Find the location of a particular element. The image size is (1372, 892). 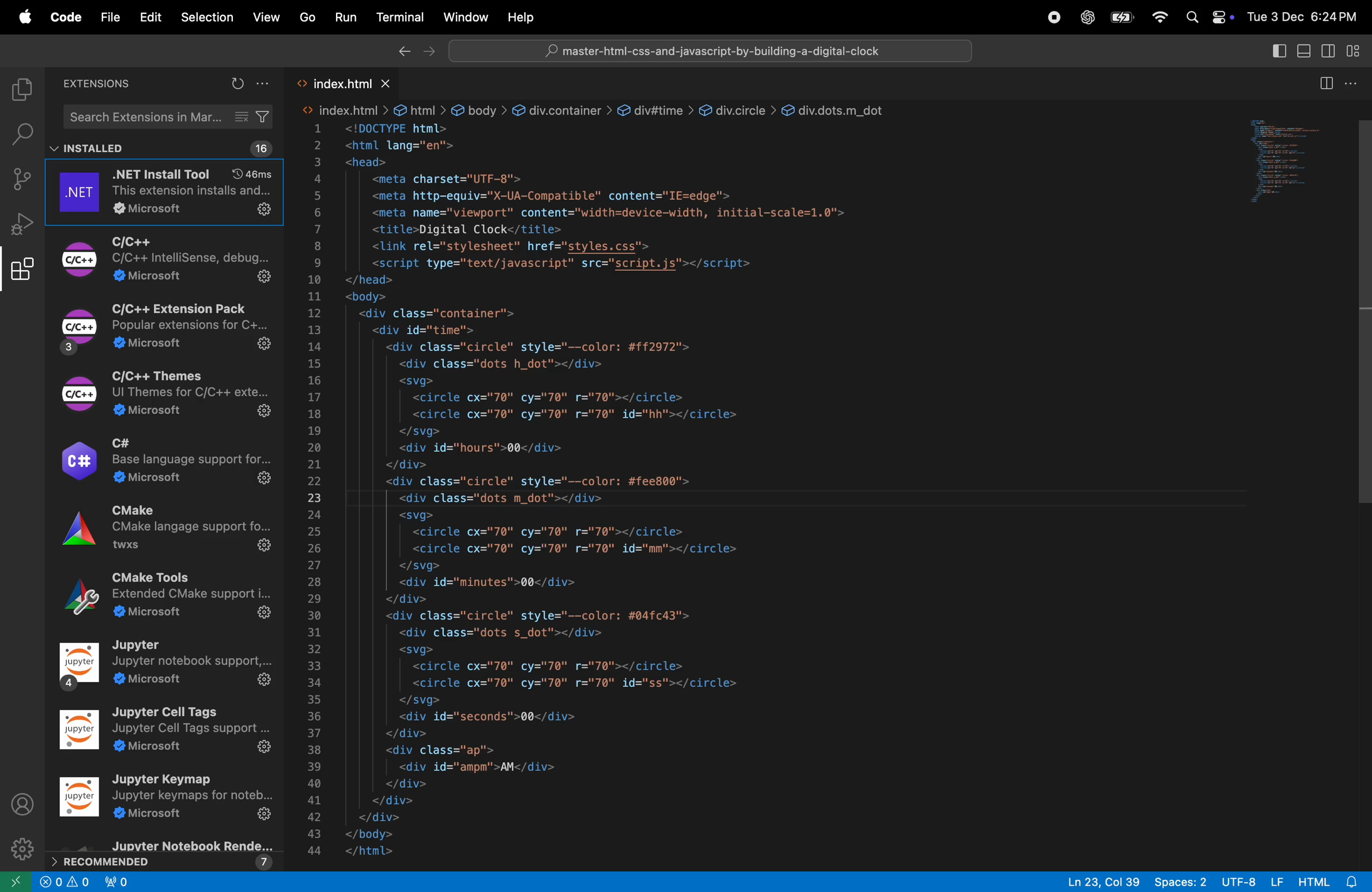

Juypter keymap is located at coordinates (165, 797).